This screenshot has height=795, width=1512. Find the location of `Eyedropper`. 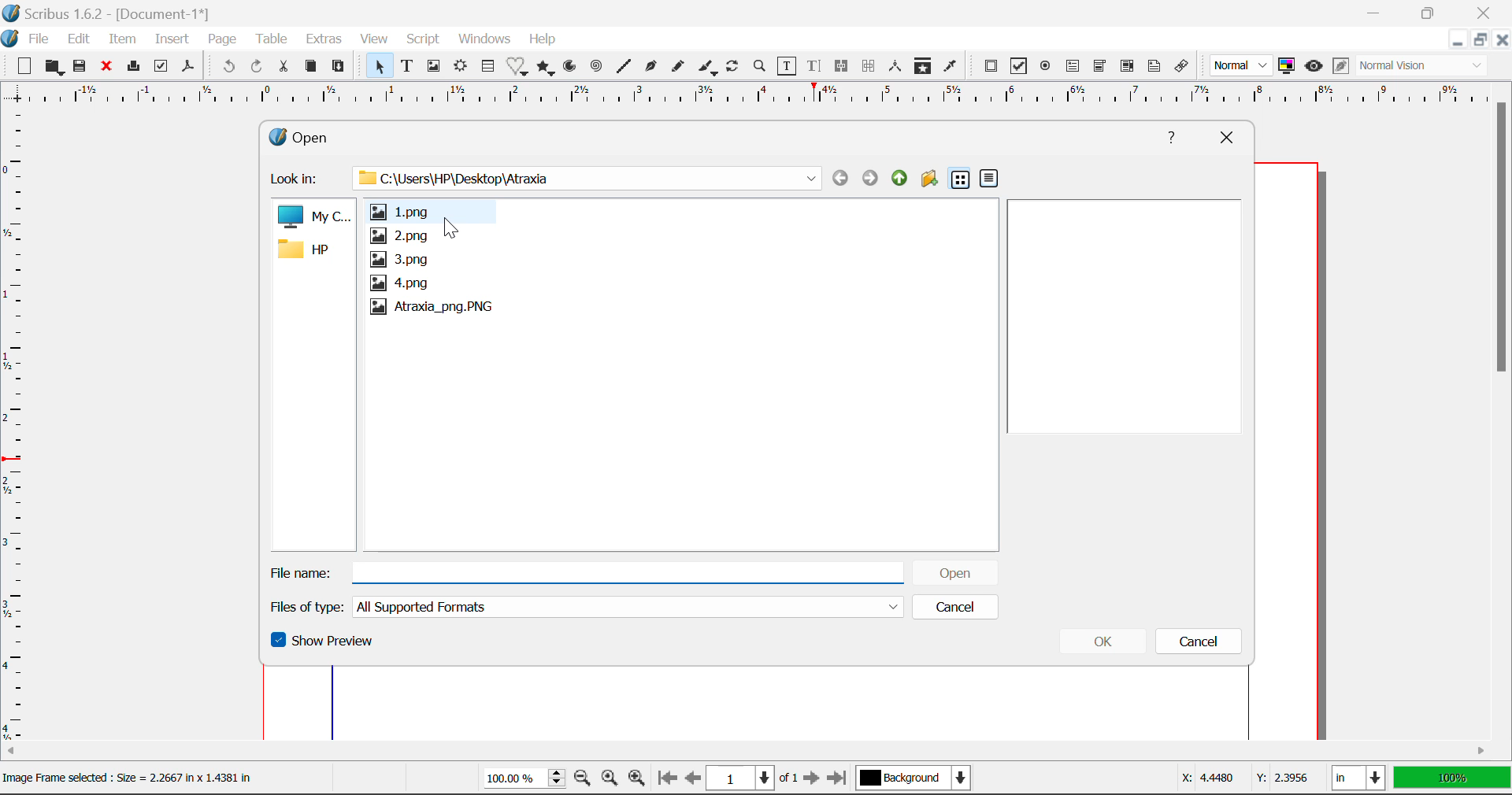

Eyedropper is located at coordinates (951, 66).